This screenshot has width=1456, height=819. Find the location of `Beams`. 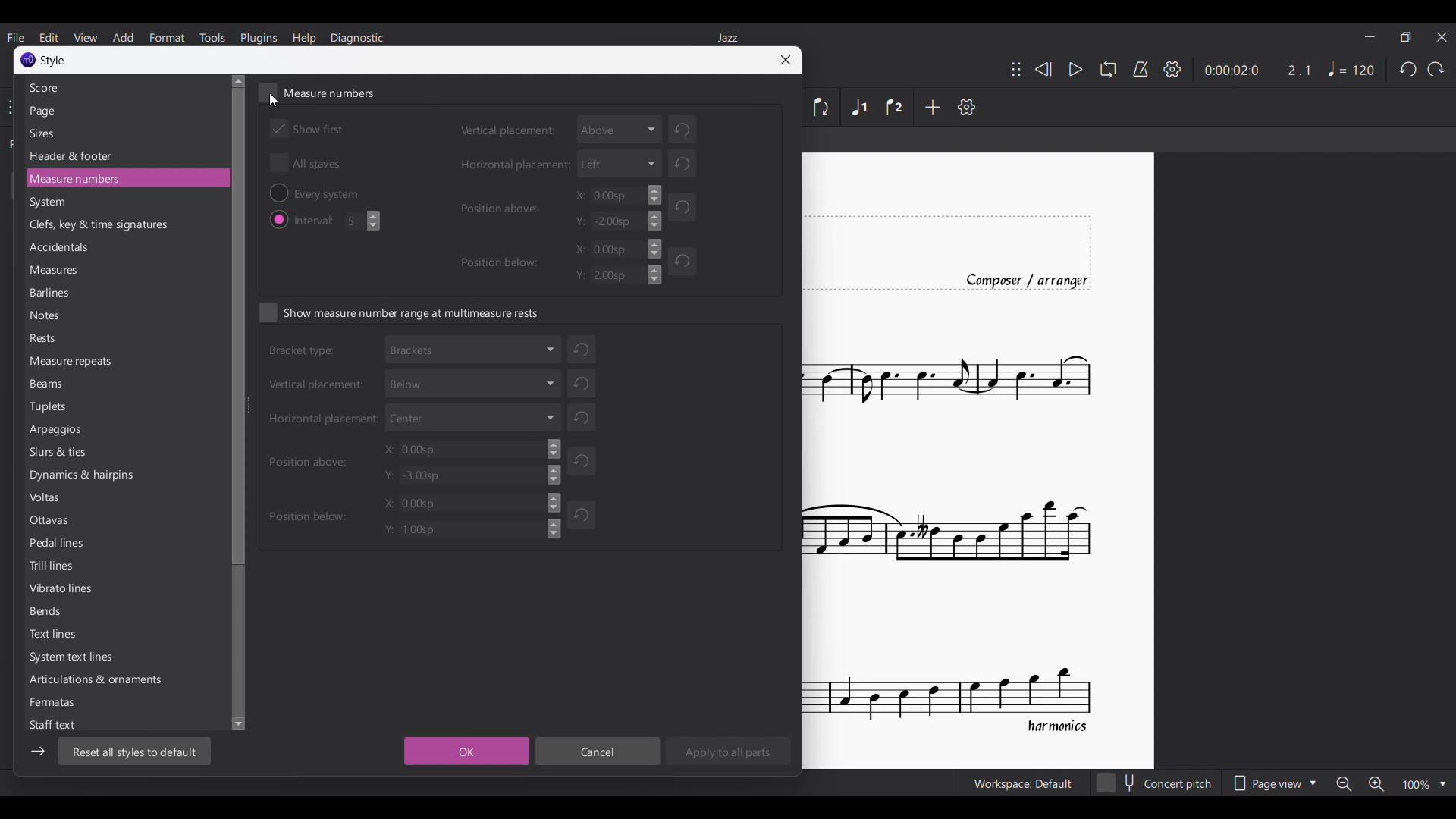

Beams is located at coordinates (51, 383).